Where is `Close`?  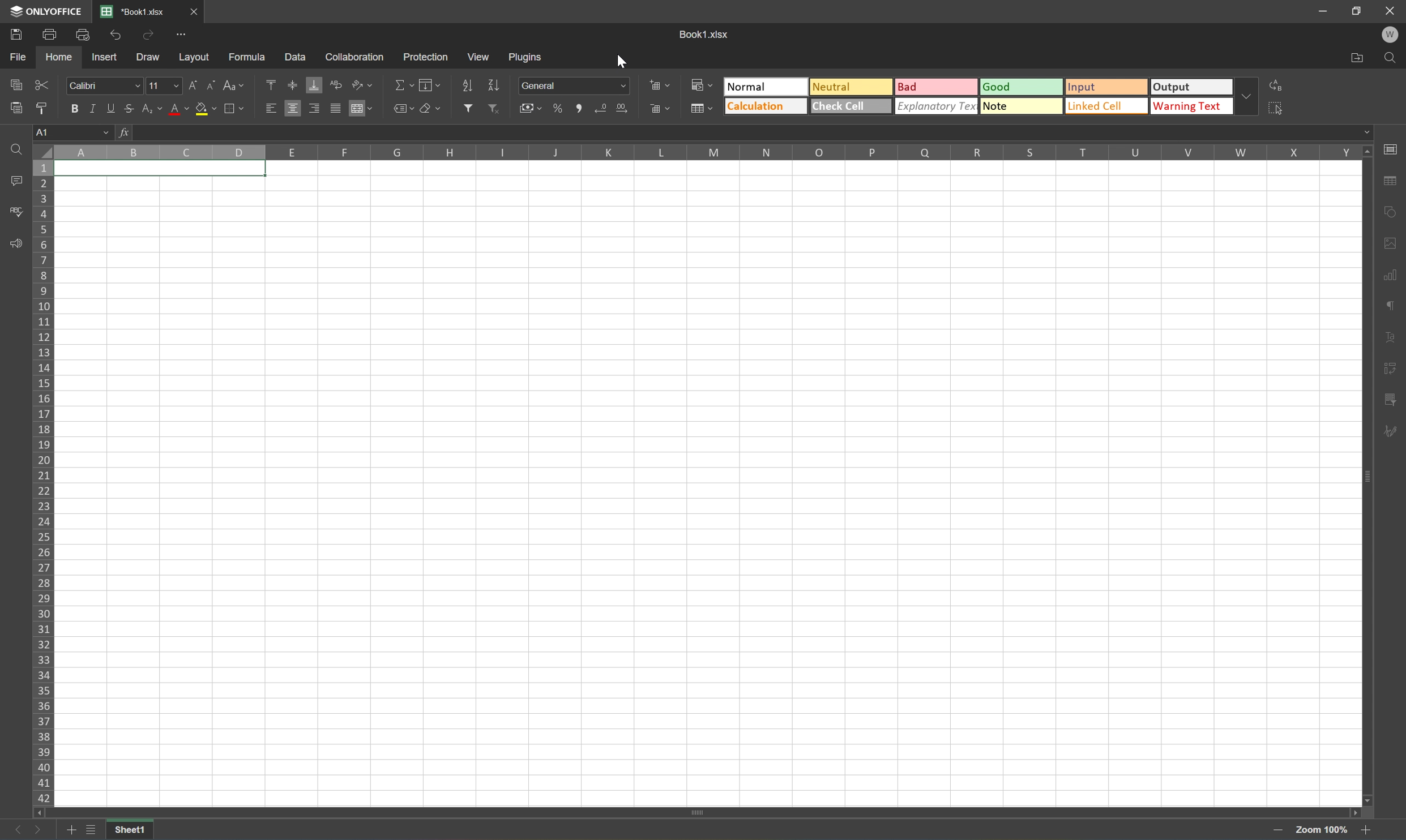
Close is located at coordinates (193, 10).